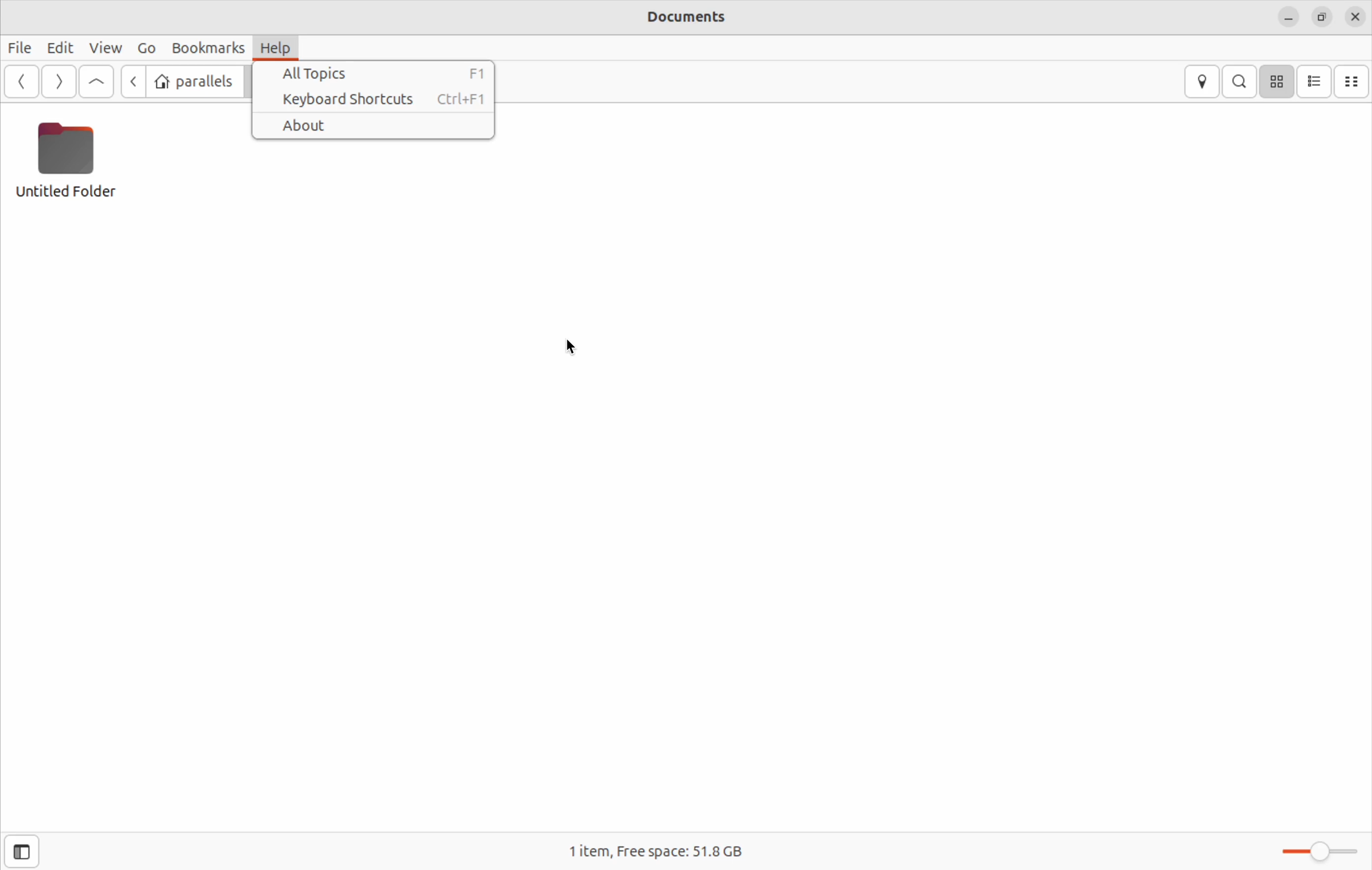 The height and width of the screenshot is (870, 1372). I want to click on forward, so click(56, 81).